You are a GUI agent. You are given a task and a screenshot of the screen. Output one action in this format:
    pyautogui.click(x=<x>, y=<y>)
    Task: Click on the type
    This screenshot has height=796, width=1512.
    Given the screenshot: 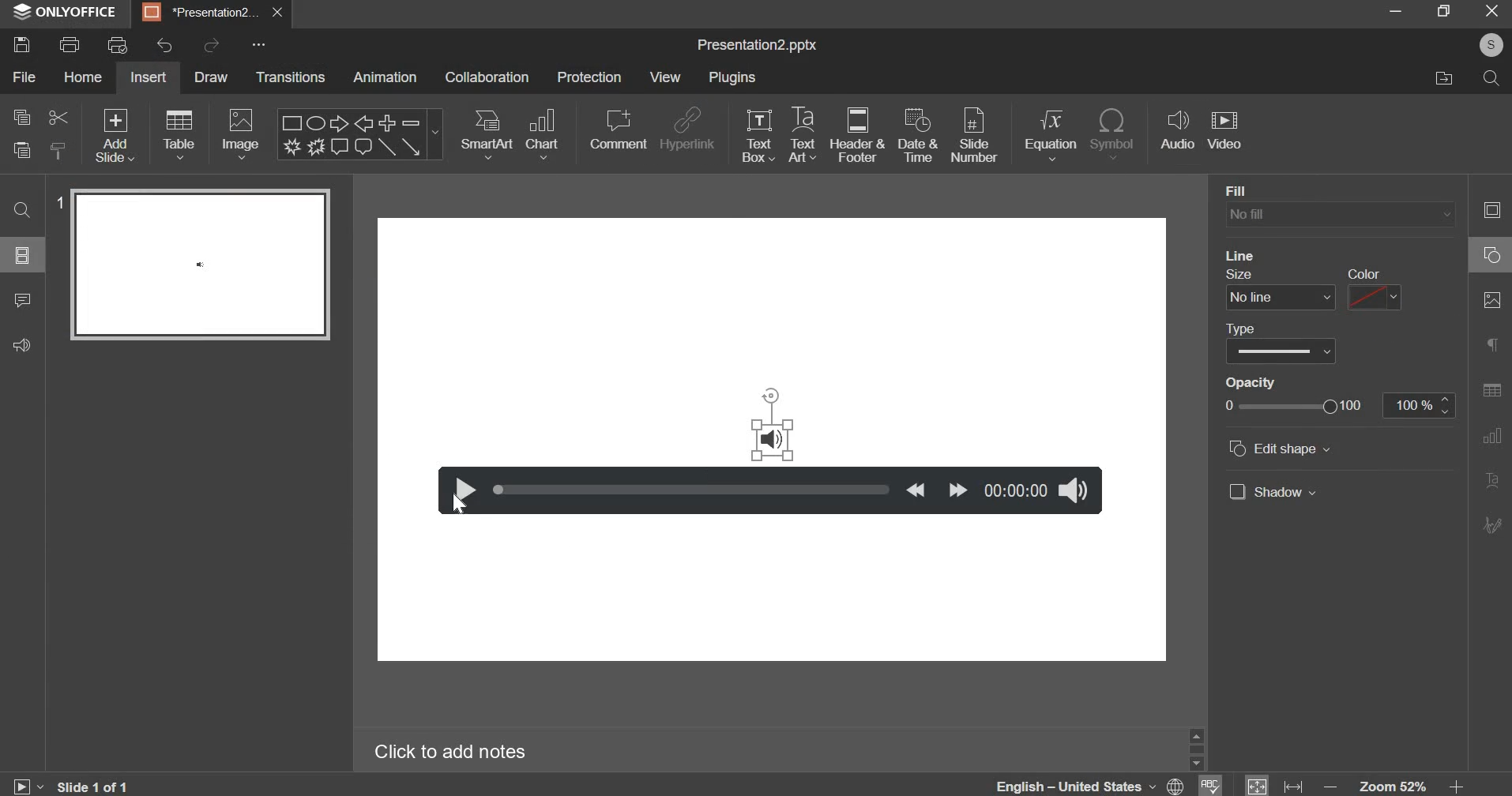 What is the action you would take?
    pyautogui.click(x=1240, y=329)
    